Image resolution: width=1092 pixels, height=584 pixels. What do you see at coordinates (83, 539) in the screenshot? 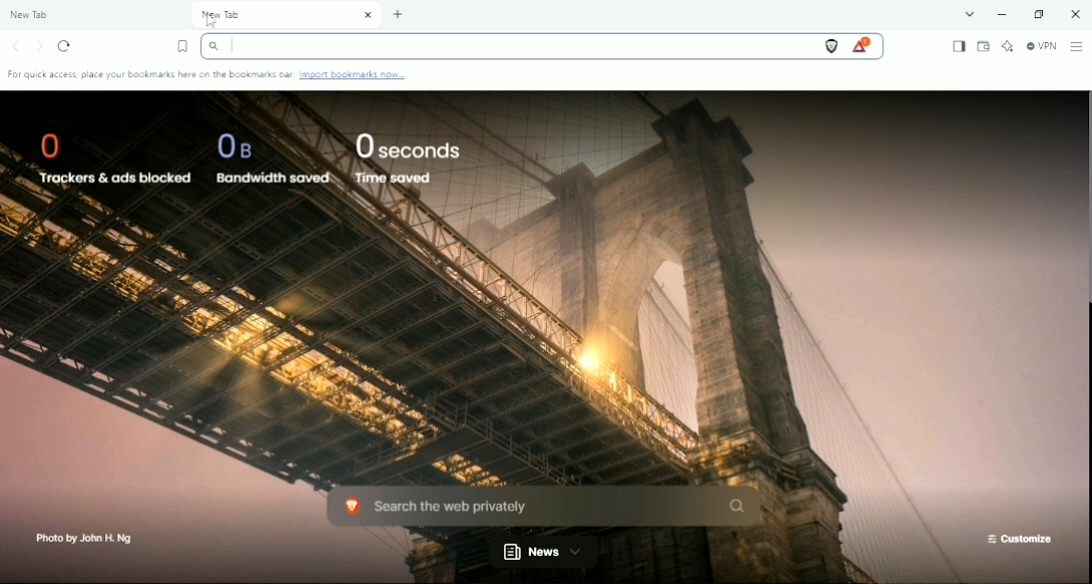
I see `Photo by John H. Ng` at bounding box center [83, 539].